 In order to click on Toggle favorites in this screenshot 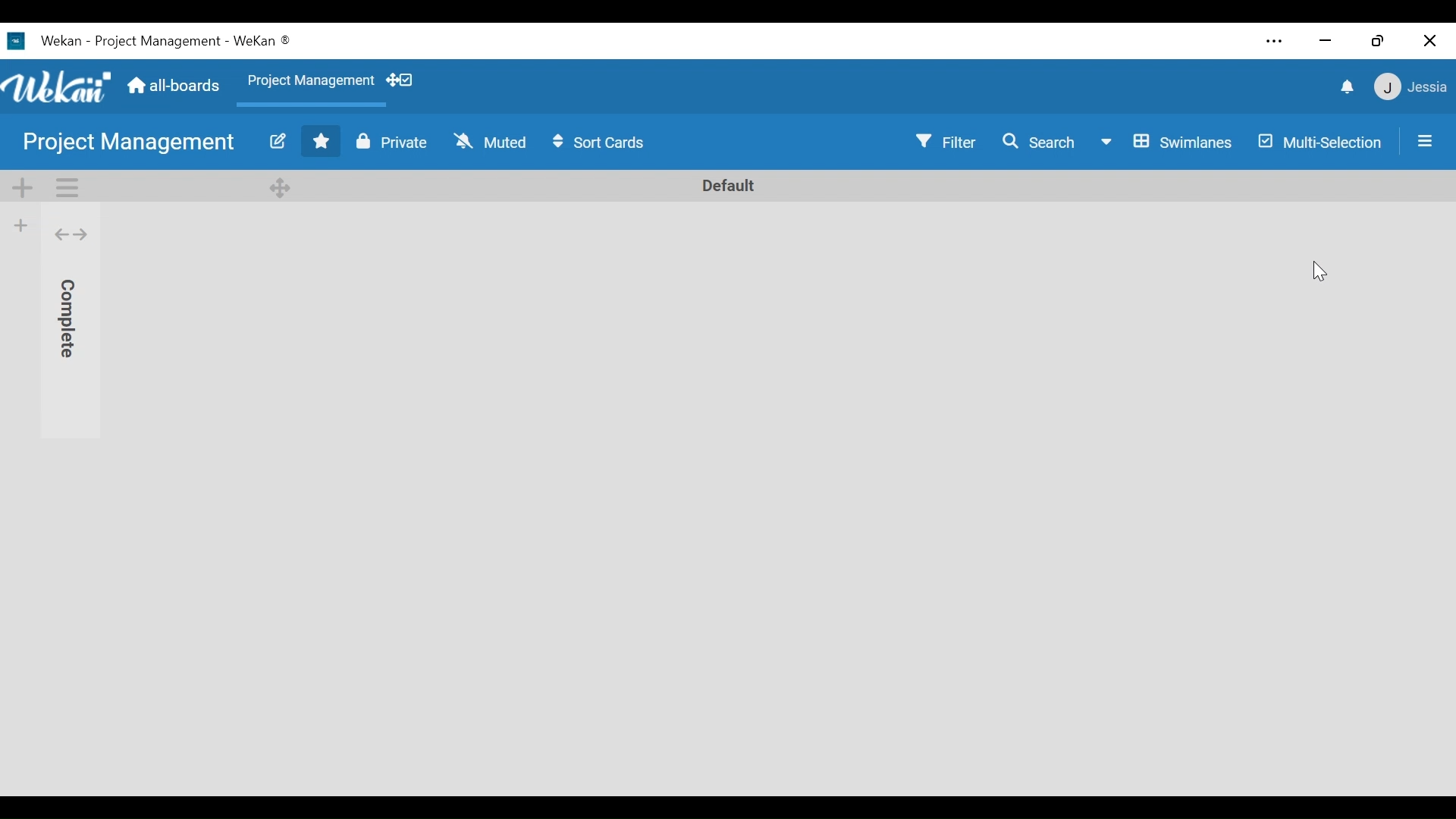, I will do `click(322, 141)`.